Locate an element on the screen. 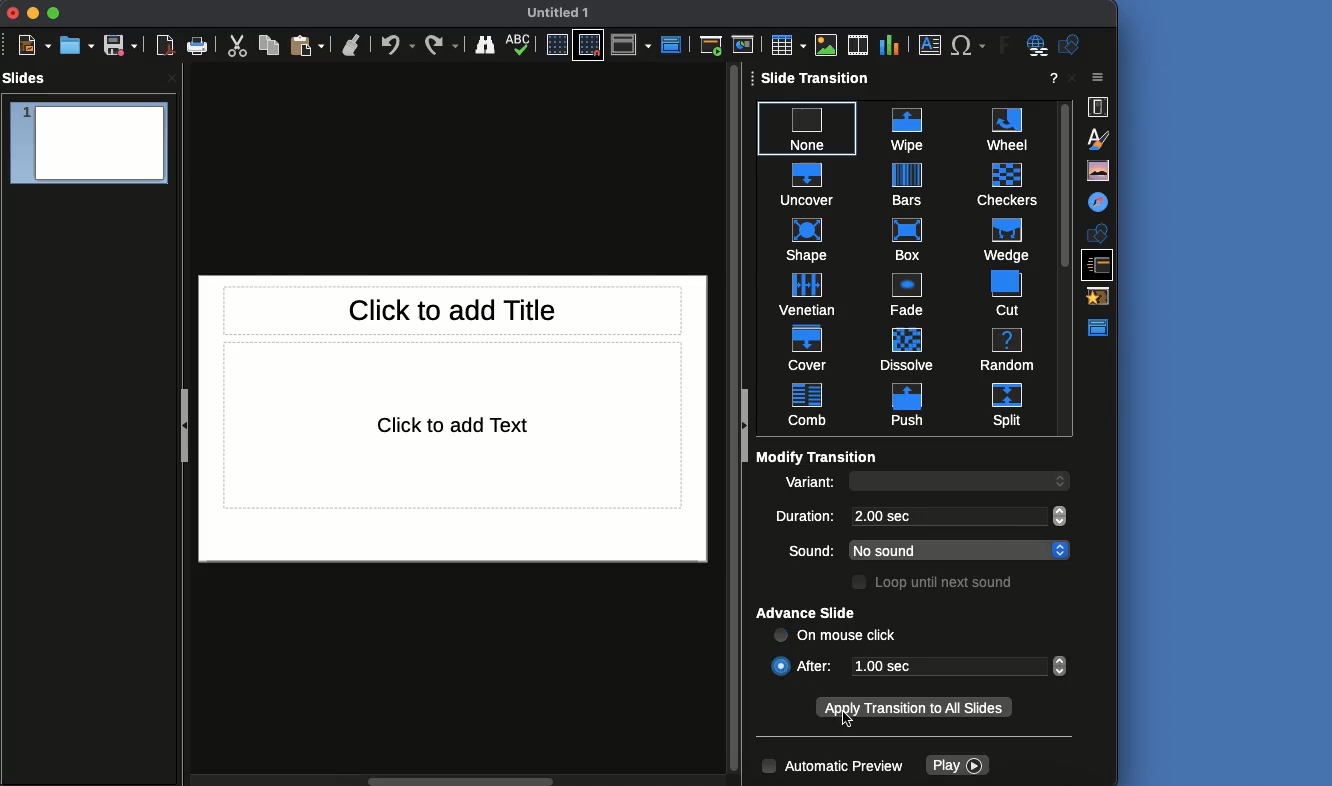 This screenshot has width=1332, height=786. scroll is located at coordinates (1062, 550).